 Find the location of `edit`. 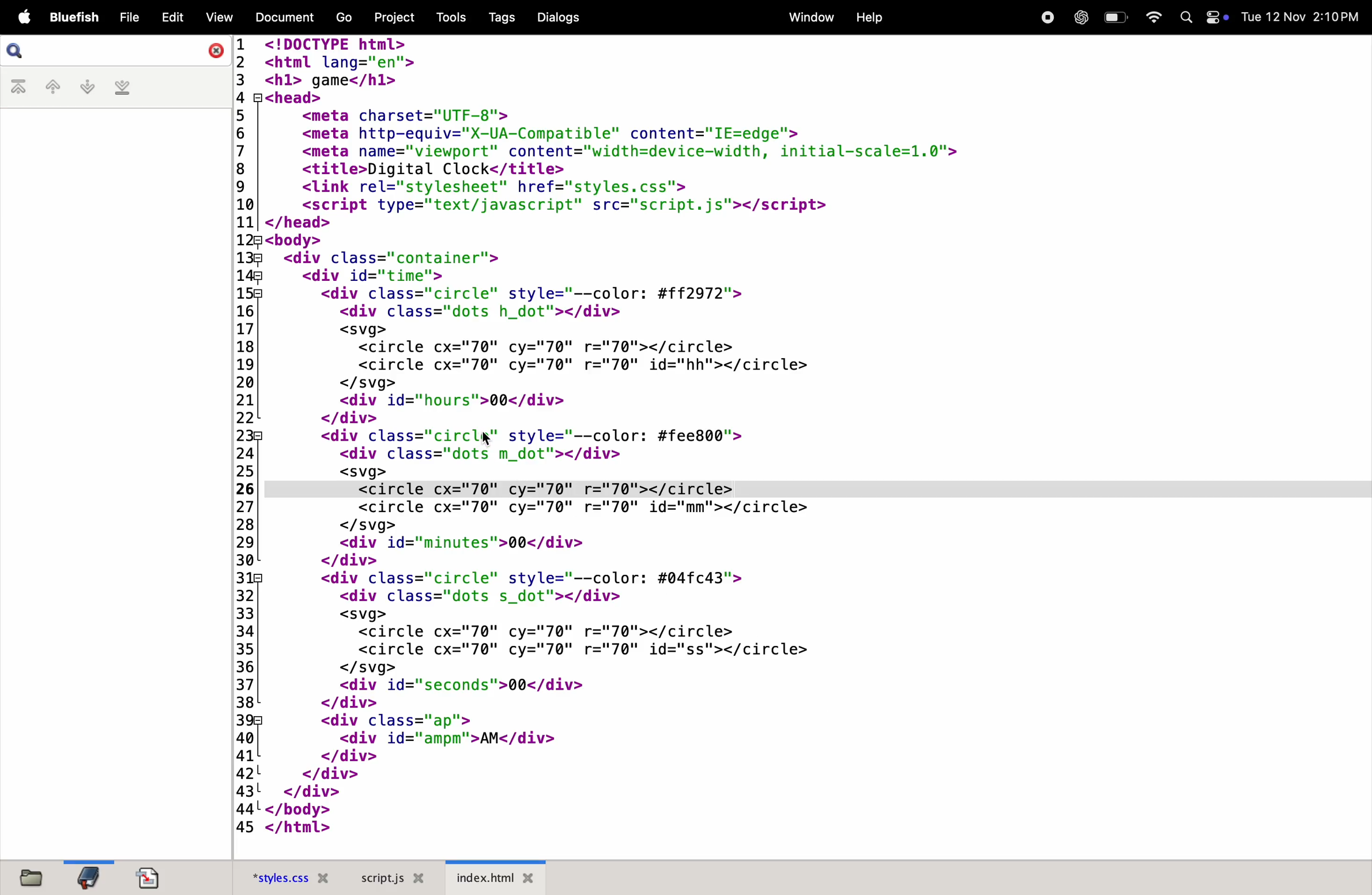

edit is located at coordinates (172, 16).